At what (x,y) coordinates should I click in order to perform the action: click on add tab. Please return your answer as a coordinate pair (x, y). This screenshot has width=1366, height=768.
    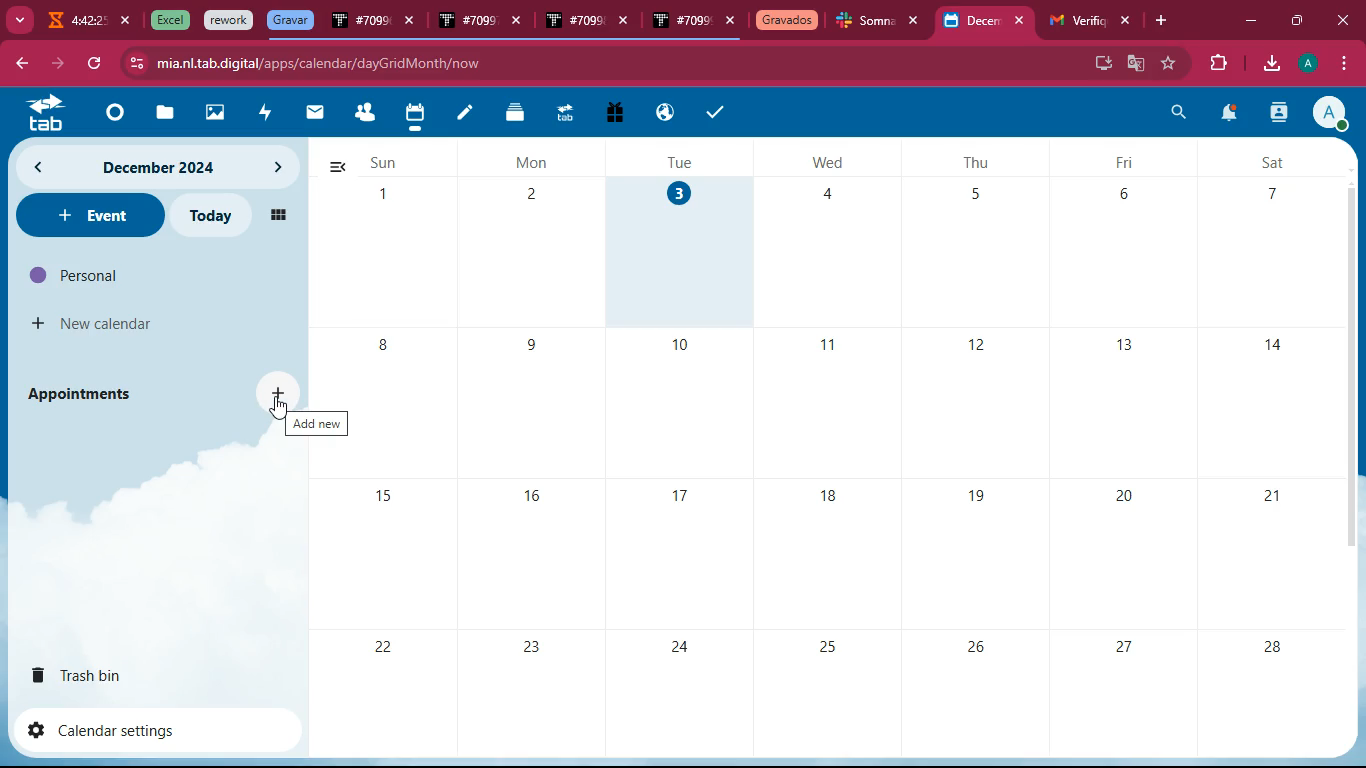
    Looking at the image, I should click on (1165, 21).